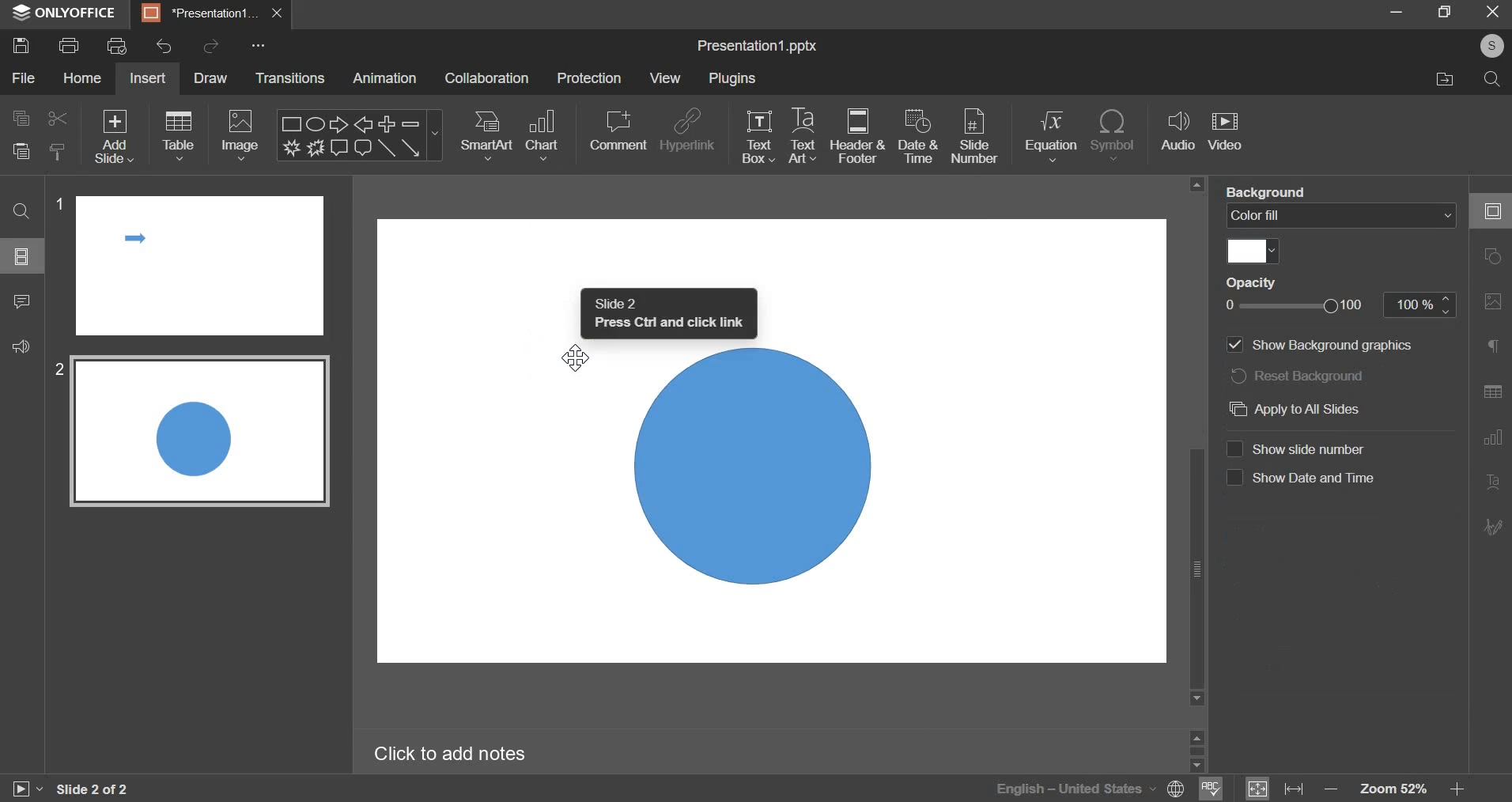 This screenshot has width=1512, height=802. Describe the element at coordinates (1211, 789) in the screenshot. I see `spell check` at that location.